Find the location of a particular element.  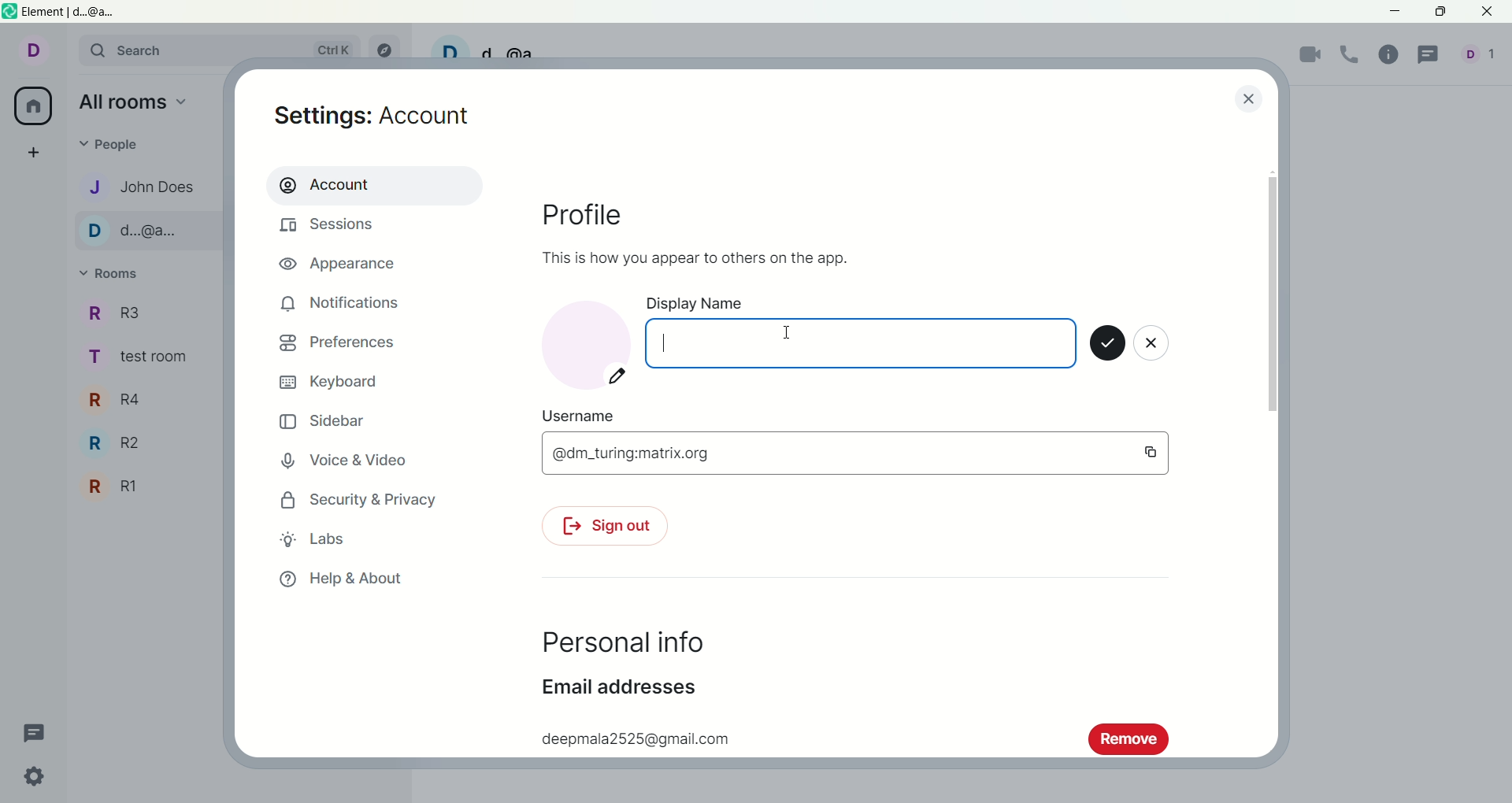

account is located at coordinates (42, 54).